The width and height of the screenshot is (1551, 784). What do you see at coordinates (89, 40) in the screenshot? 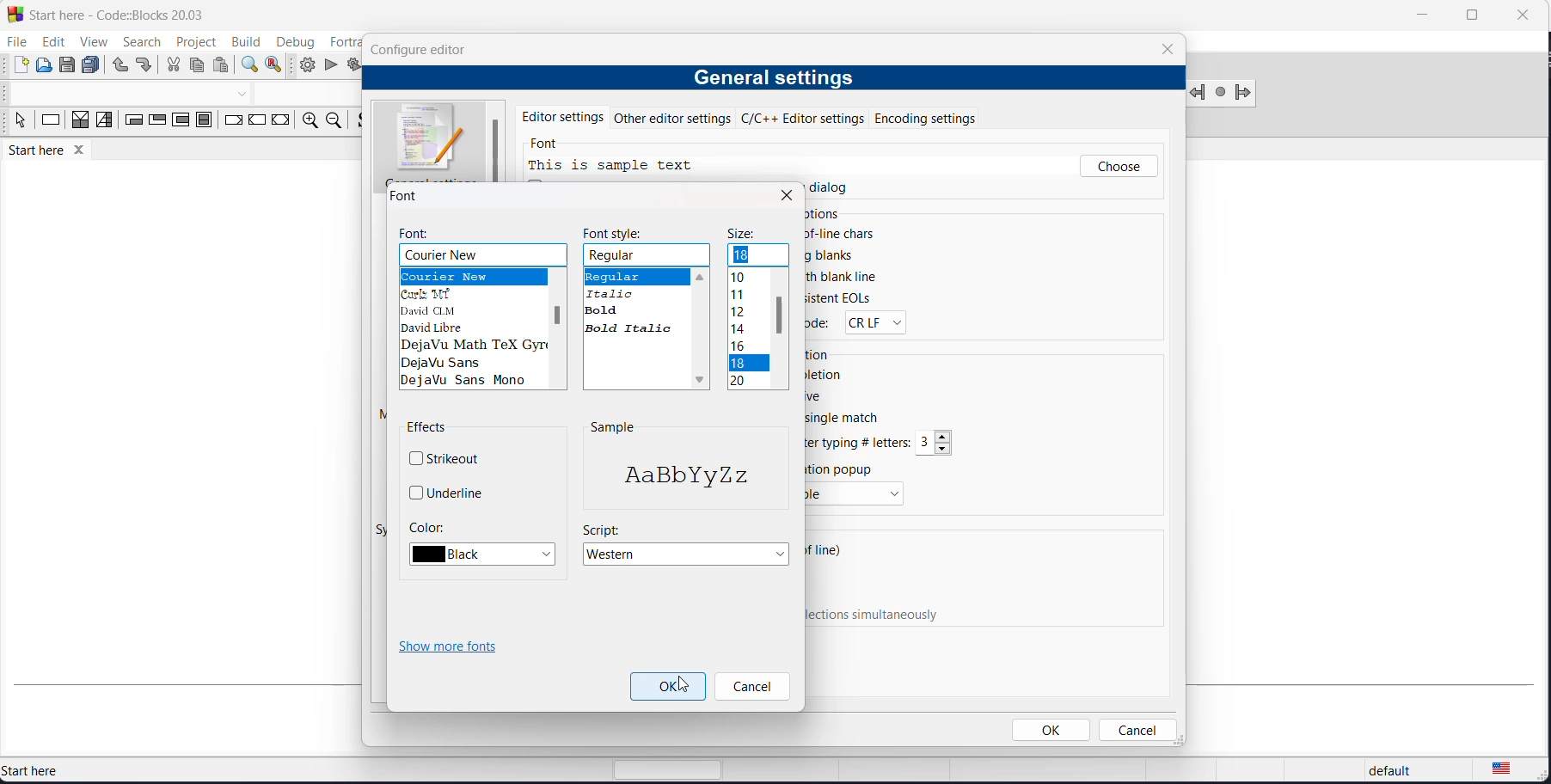
I see `view` at bounding box center [89, 40].